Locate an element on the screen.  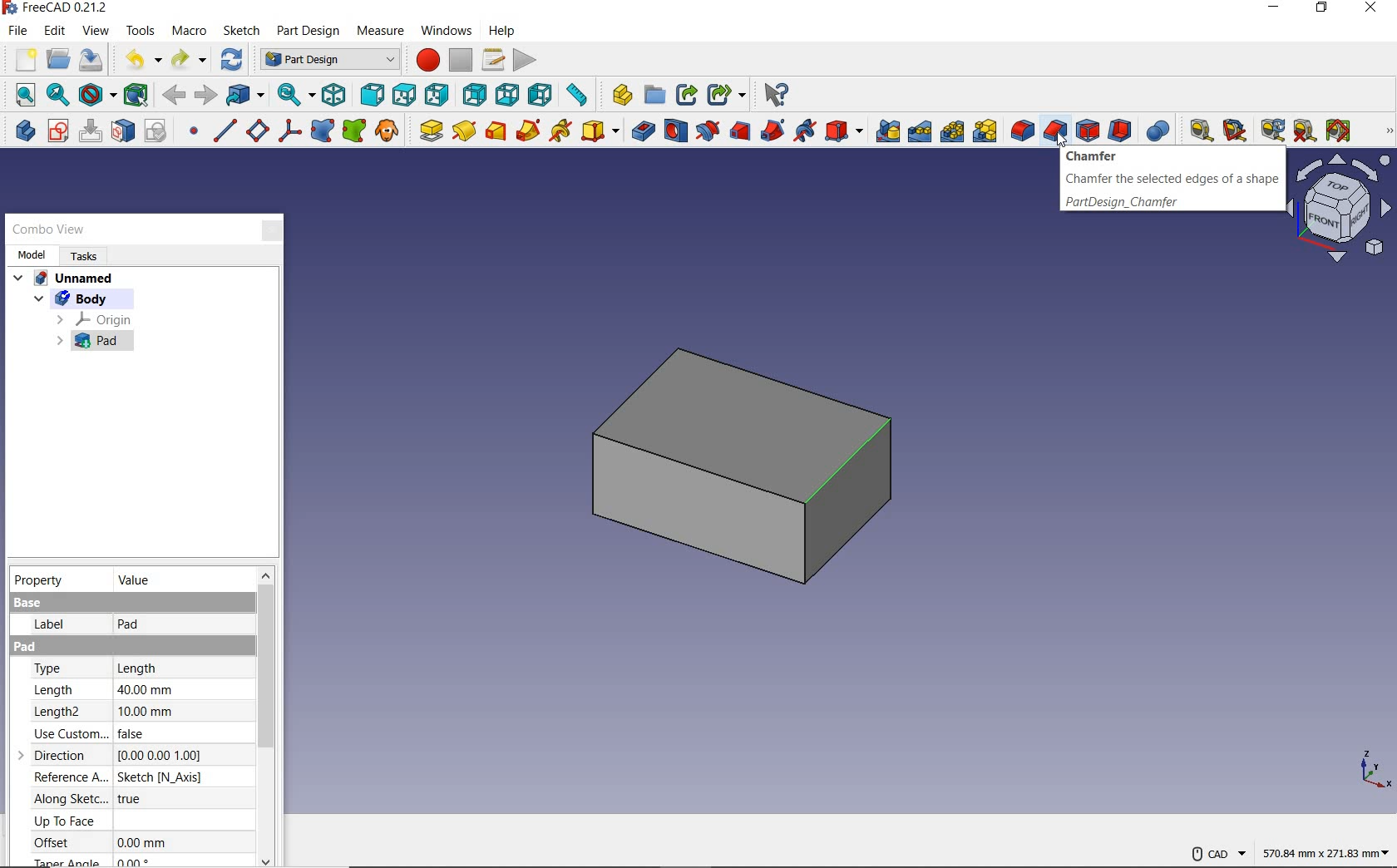
subtractive loft is located at coordinates (739, 131).